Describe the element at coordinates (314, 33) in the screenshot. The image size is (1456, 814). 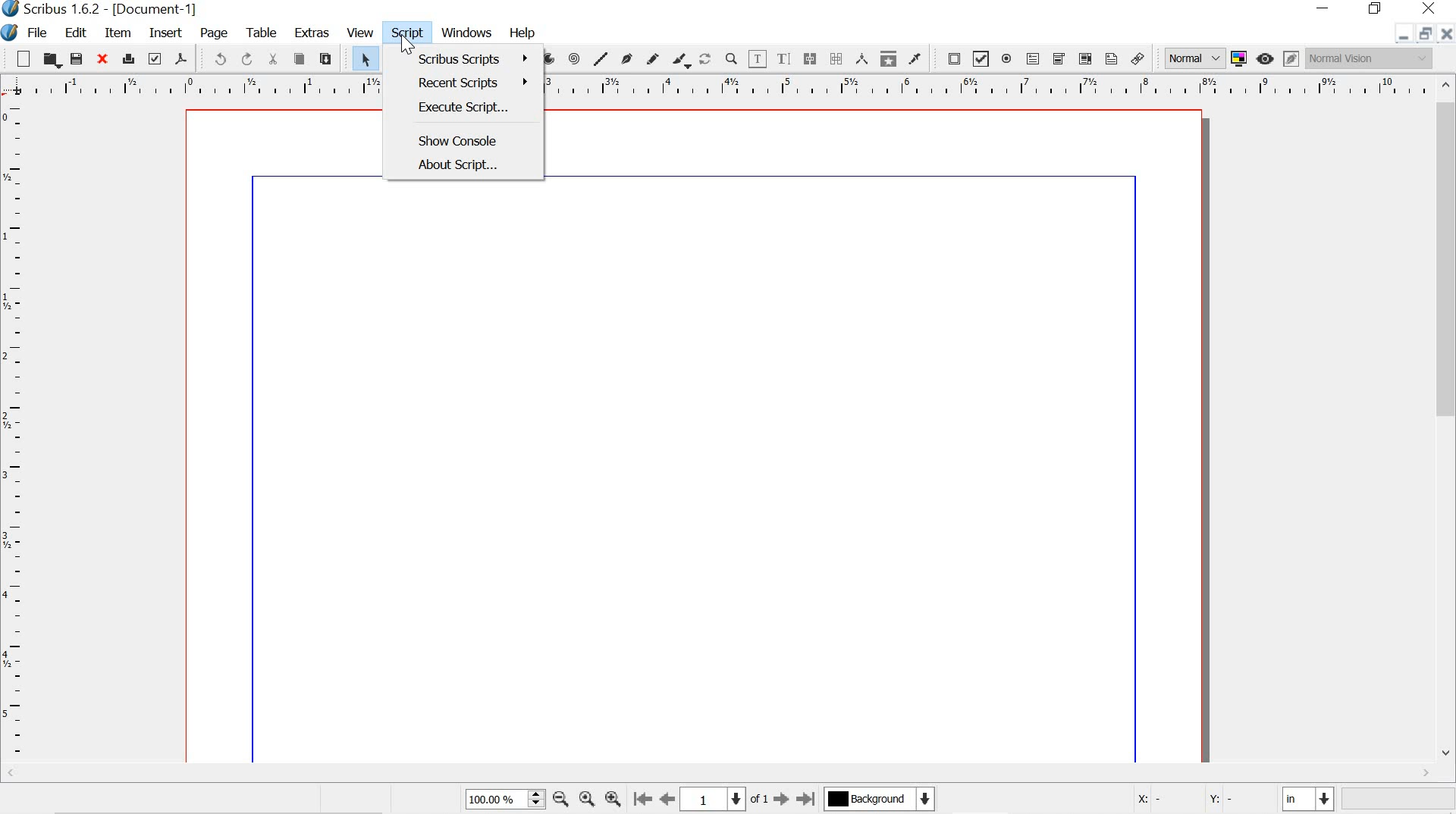
I see `extras` at that location.